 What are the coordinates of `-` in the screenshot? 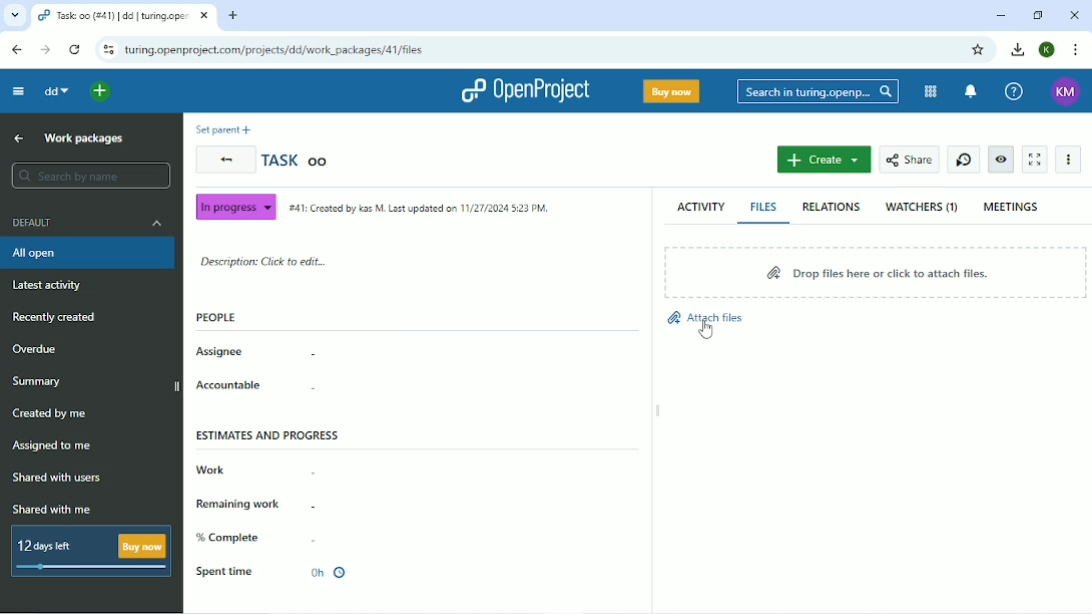 It's located at (330, 391).